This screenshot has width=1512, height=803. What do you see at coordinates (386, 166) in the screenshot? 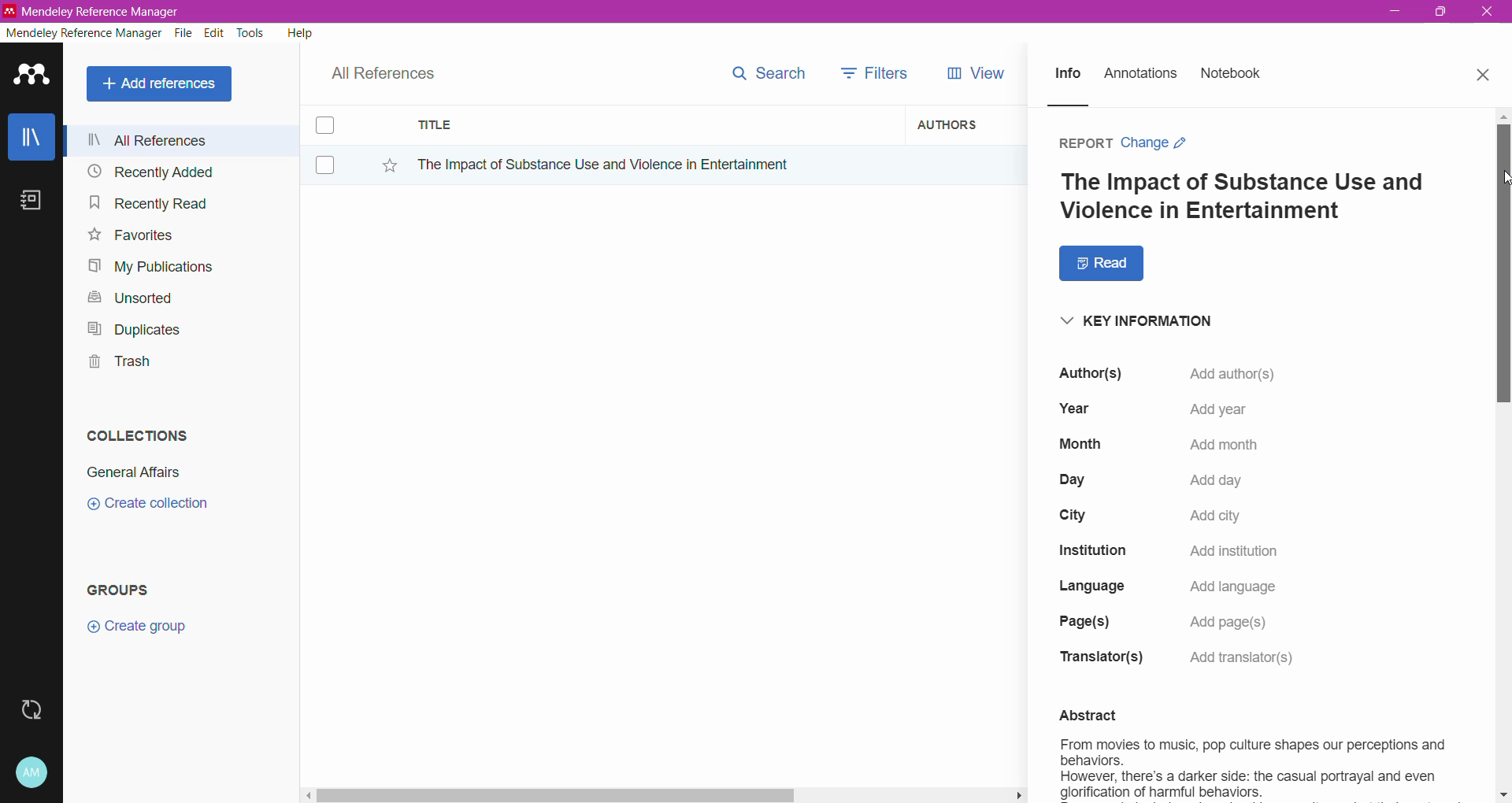
I see `Click to Add to Favorites` at bounding box center [386, 166].